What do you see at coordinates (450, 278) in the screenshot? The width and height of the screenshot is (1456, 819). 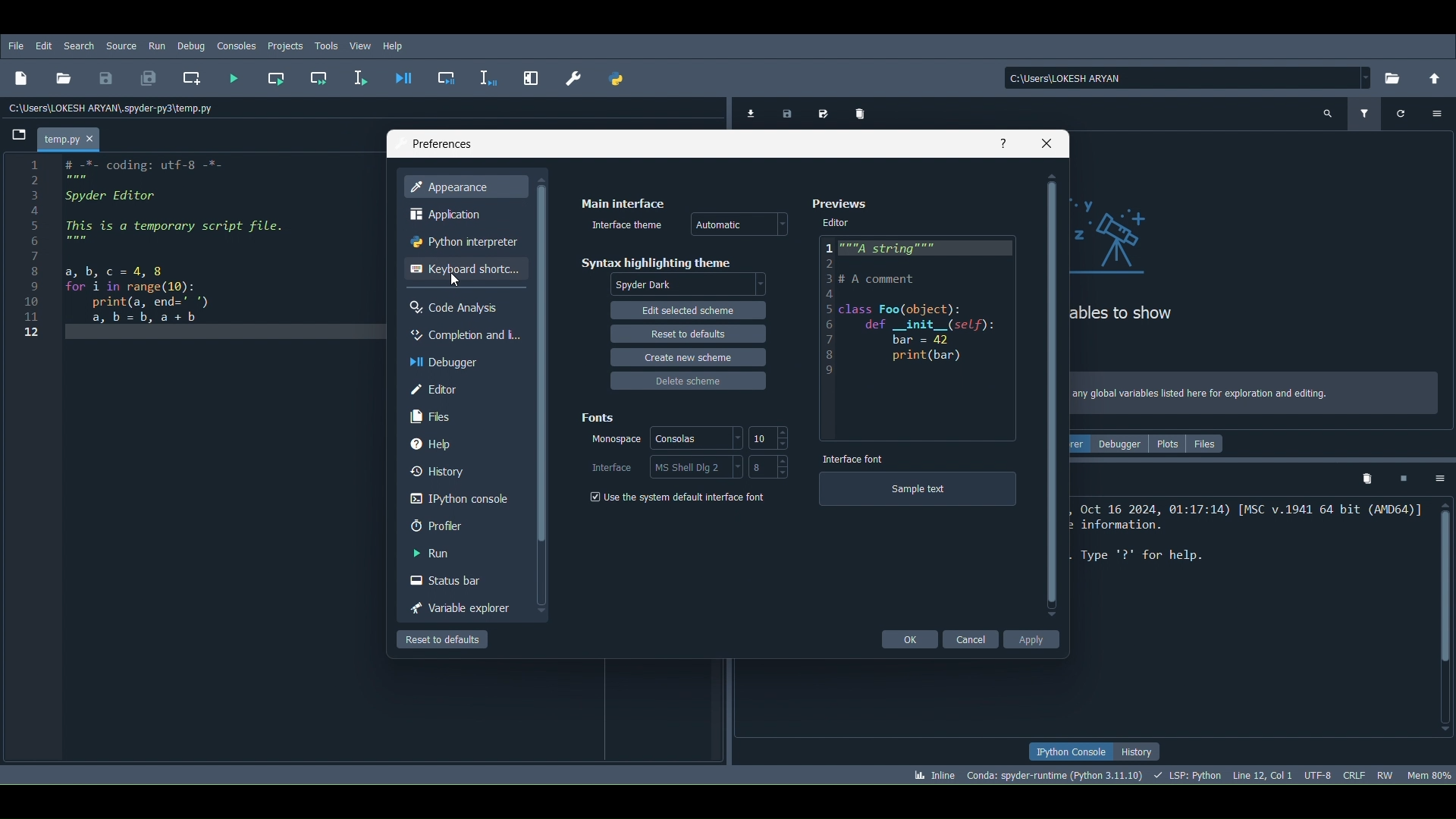 I see `Cursor position` at bounding box center [450, 278].